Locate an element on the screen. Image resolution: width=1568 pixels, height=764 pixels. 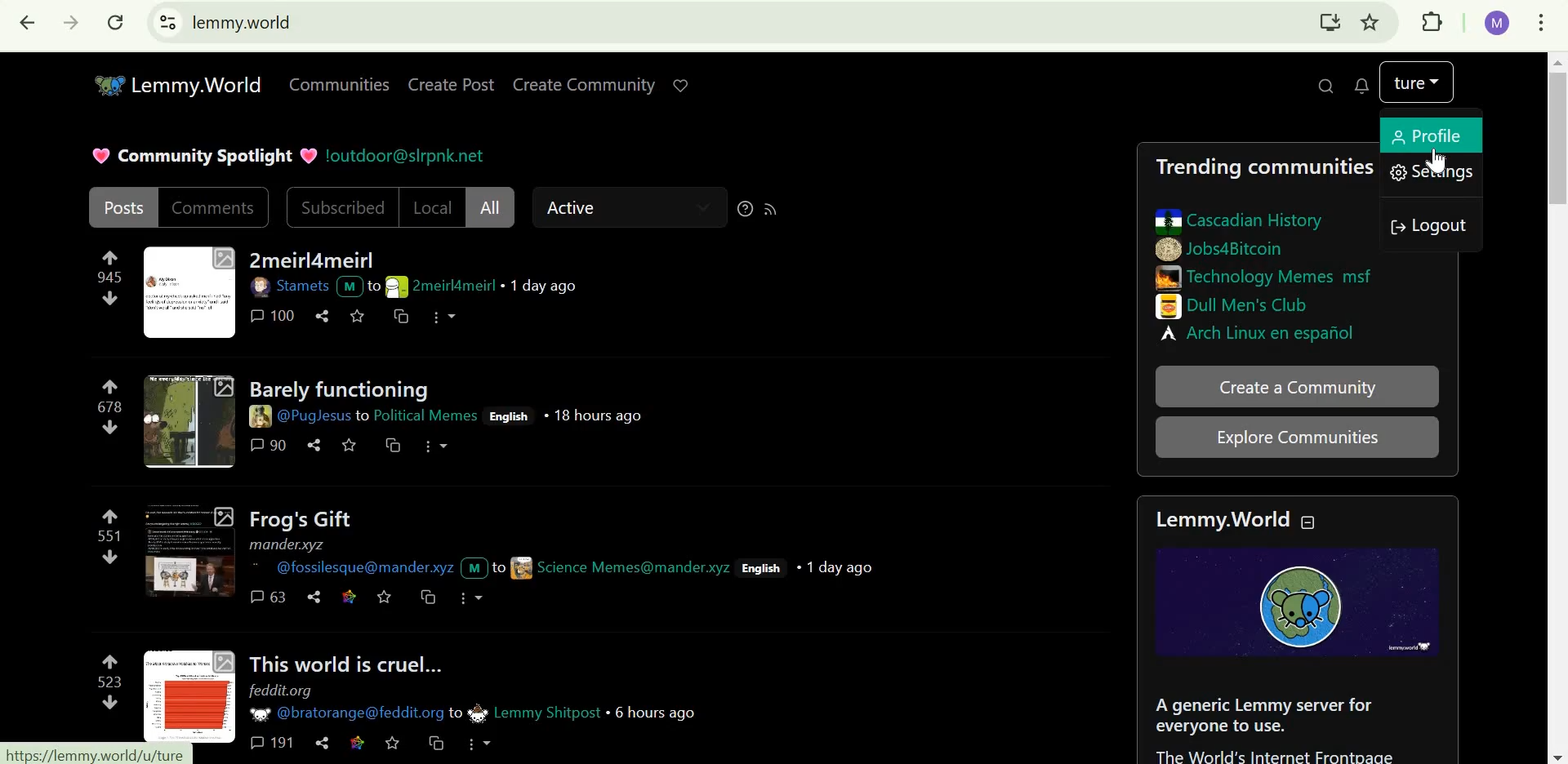
downvote is located at coordinates (109, 300).